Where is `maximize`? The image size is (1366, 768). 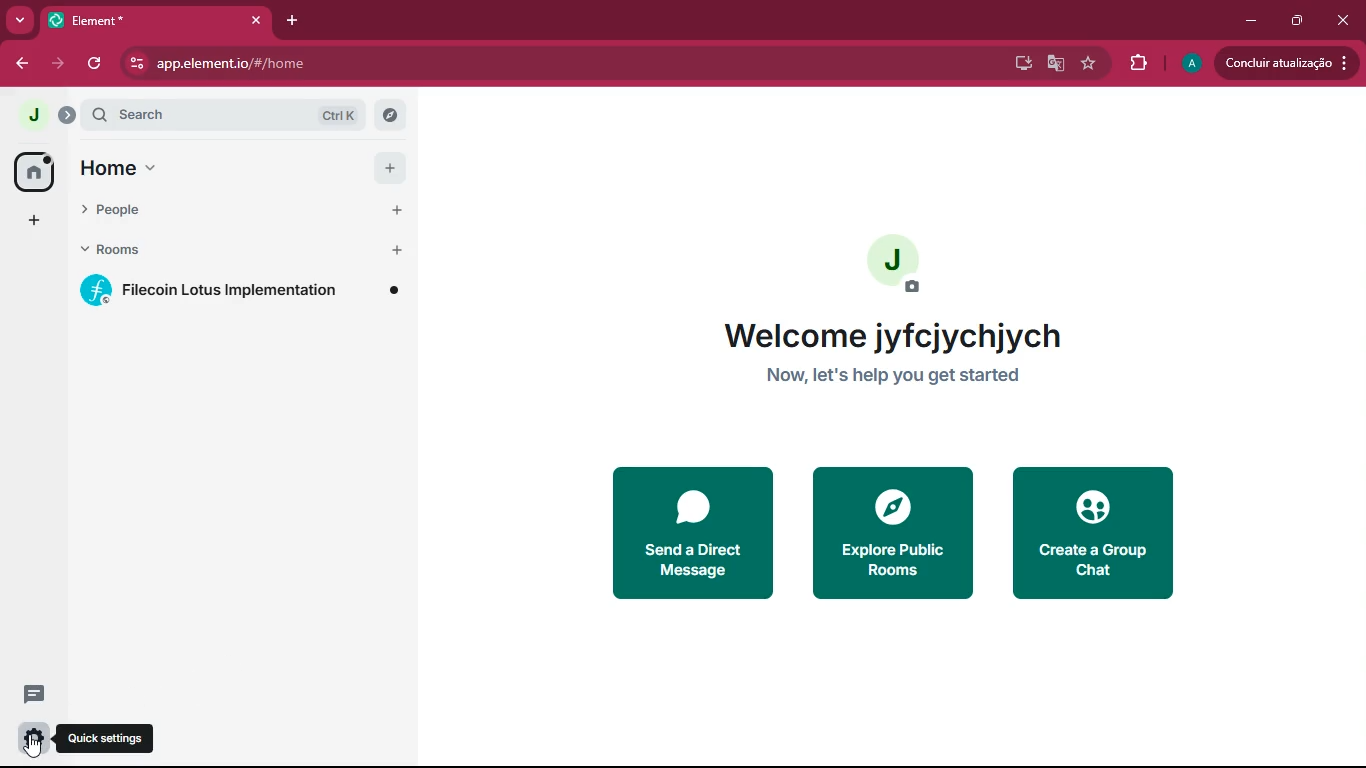 maximize is located at coordinates (1299, 21).